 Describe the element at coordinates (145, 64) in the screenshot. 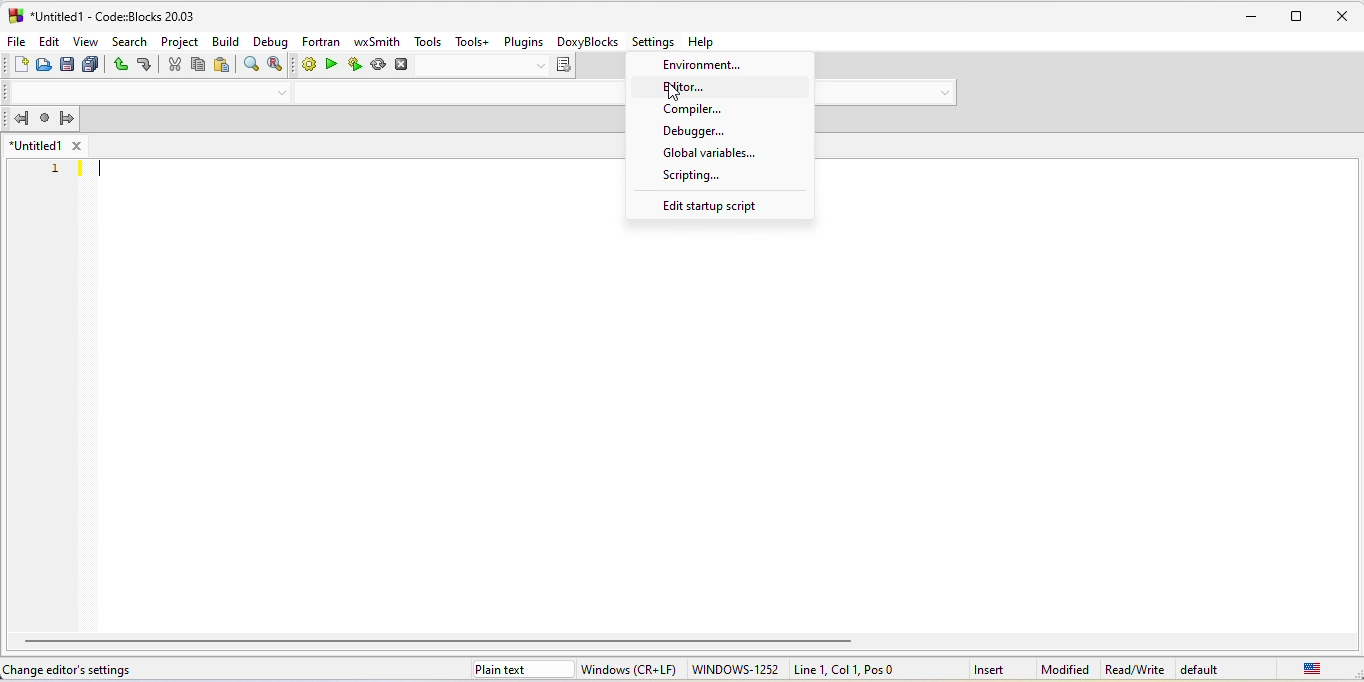

I see `redo` at that location.